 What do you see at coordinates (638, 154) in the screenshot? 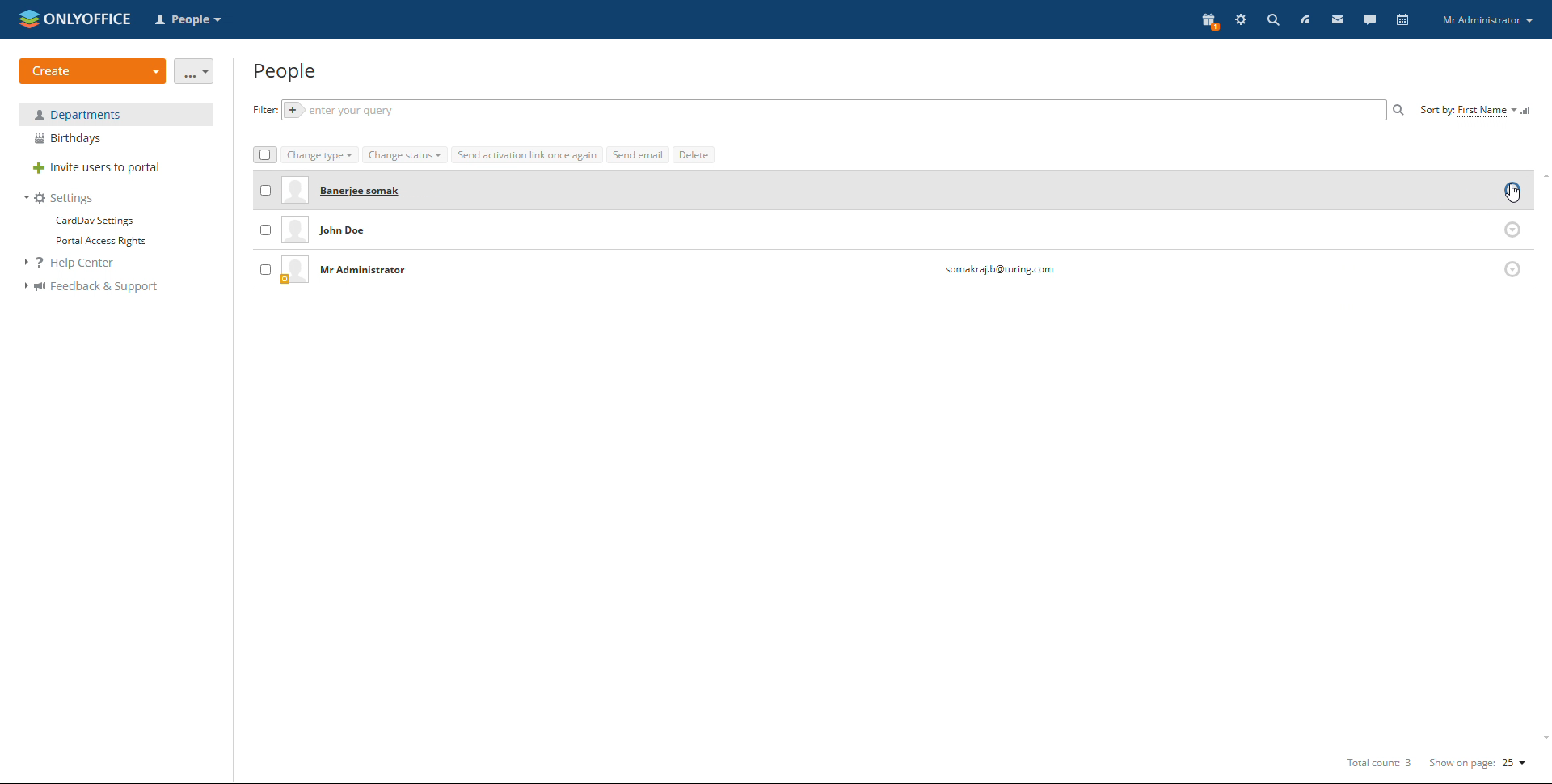
I see `send email` at bounding box center [638, 154].